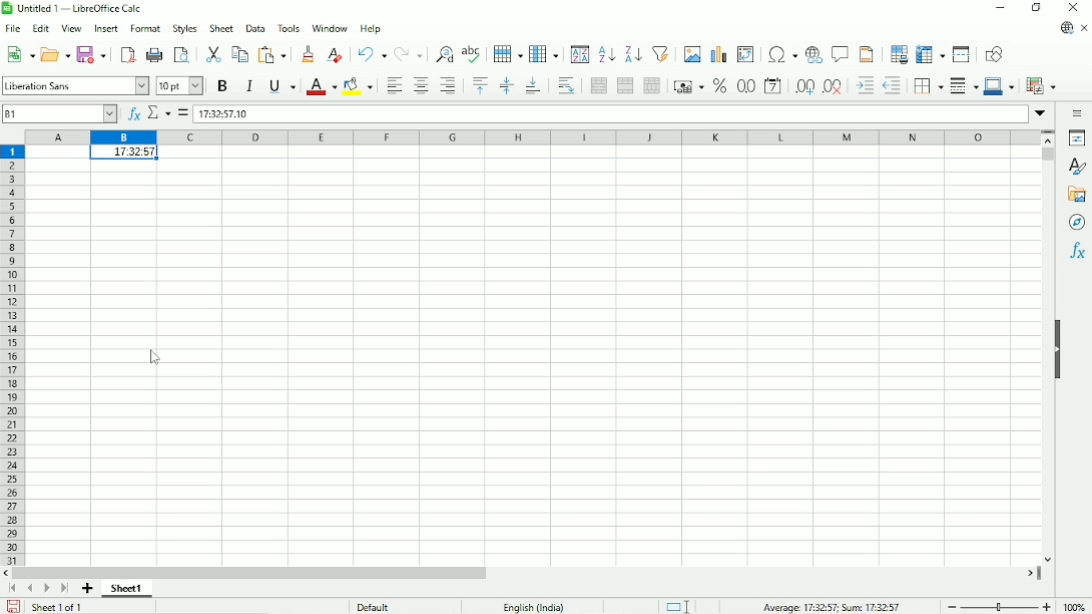 This screenshot has height=614, width=1092. What do you see at coordinates (813, 53) in the screenshot?
I see `Insert hyperlink` at bounding box center [813, 53].